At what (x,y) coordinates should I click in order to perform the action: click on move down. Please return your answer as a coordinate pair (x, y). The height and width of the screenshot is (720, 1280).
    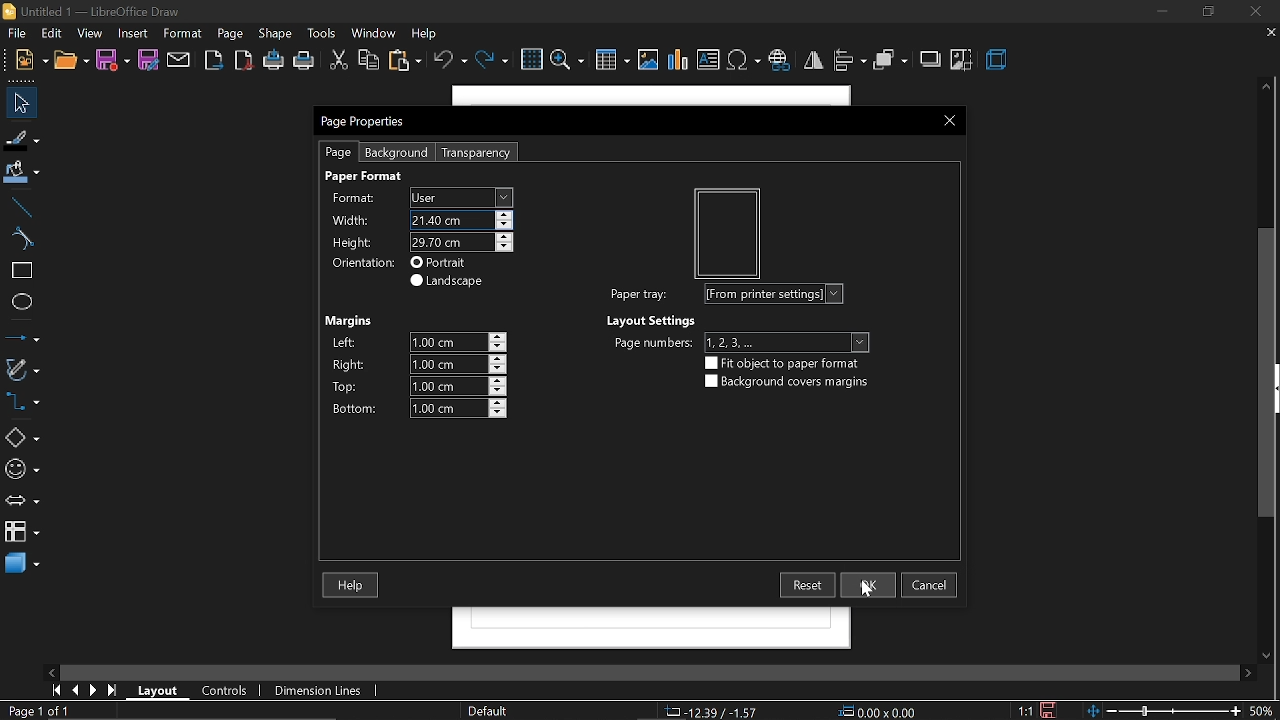
    Looking at the image, I should click on (1266, 655).